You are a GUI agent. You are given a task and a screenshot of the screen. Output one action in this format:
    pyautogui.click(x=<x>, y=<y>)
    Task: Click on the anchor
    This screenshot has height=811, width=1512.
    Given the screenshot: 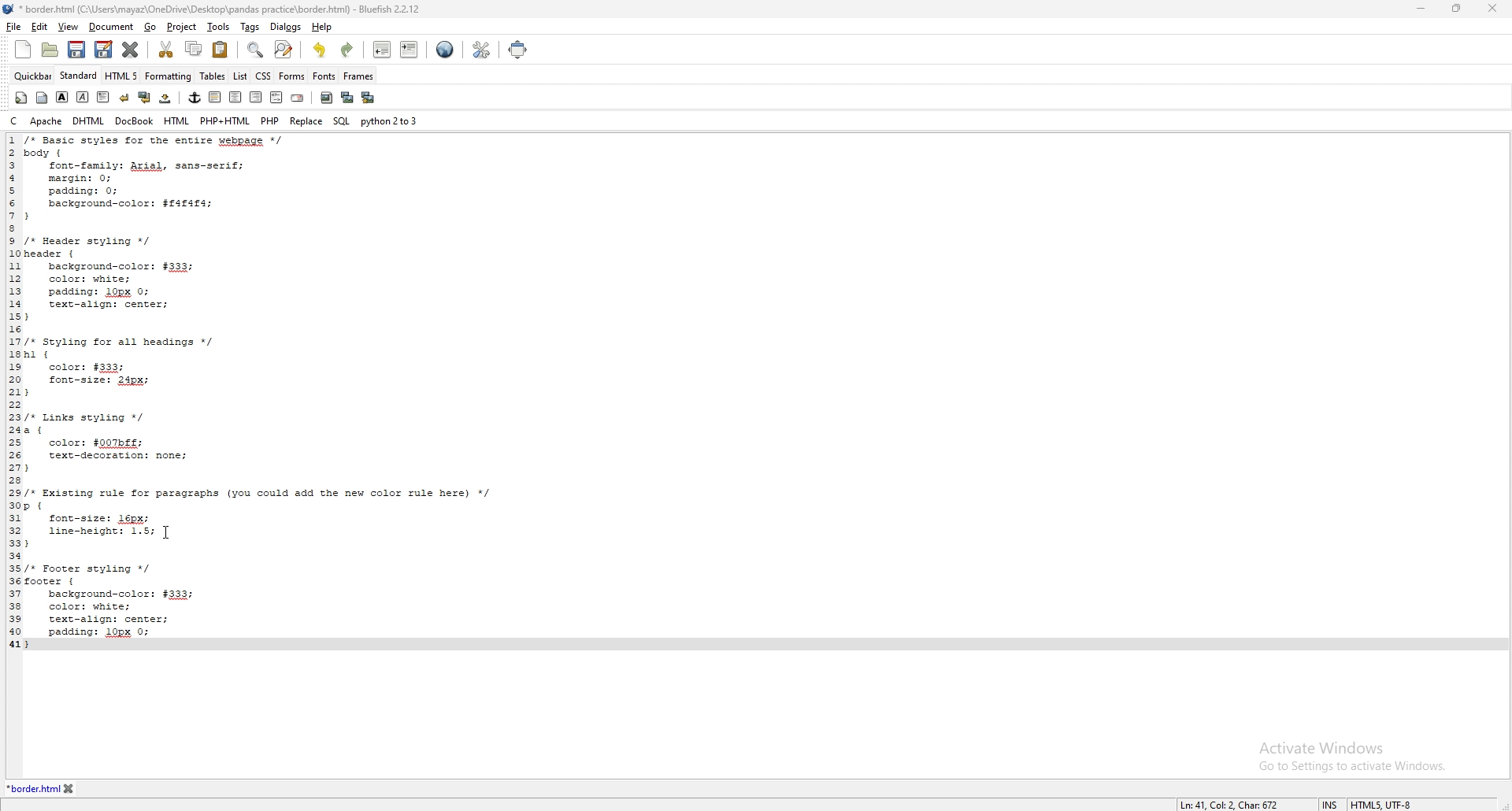 What is the action you would take?
    pyautogui.click(x=195, y=98)
    